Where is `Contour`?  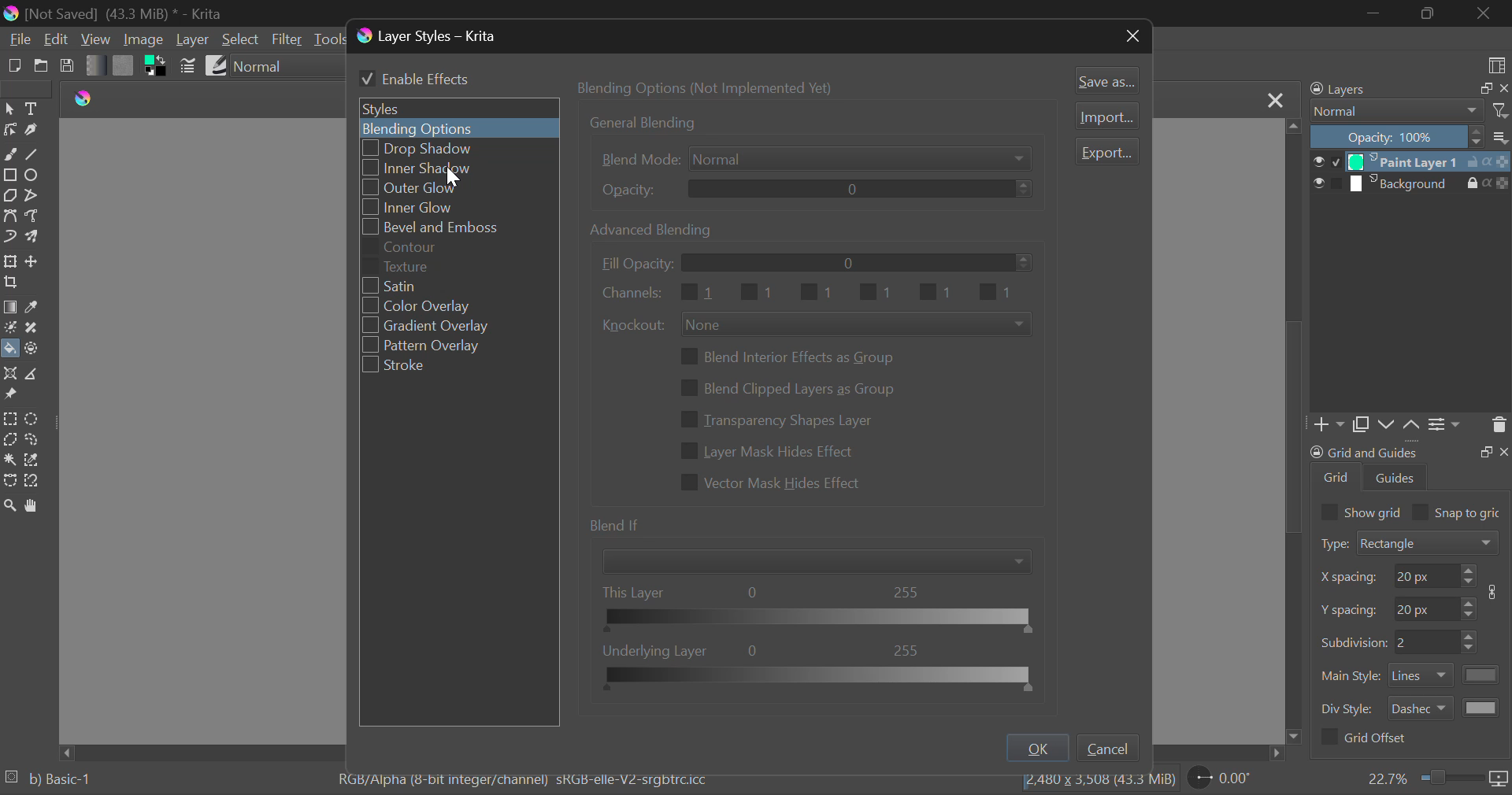 Contour is located at coordinates (454, 248).